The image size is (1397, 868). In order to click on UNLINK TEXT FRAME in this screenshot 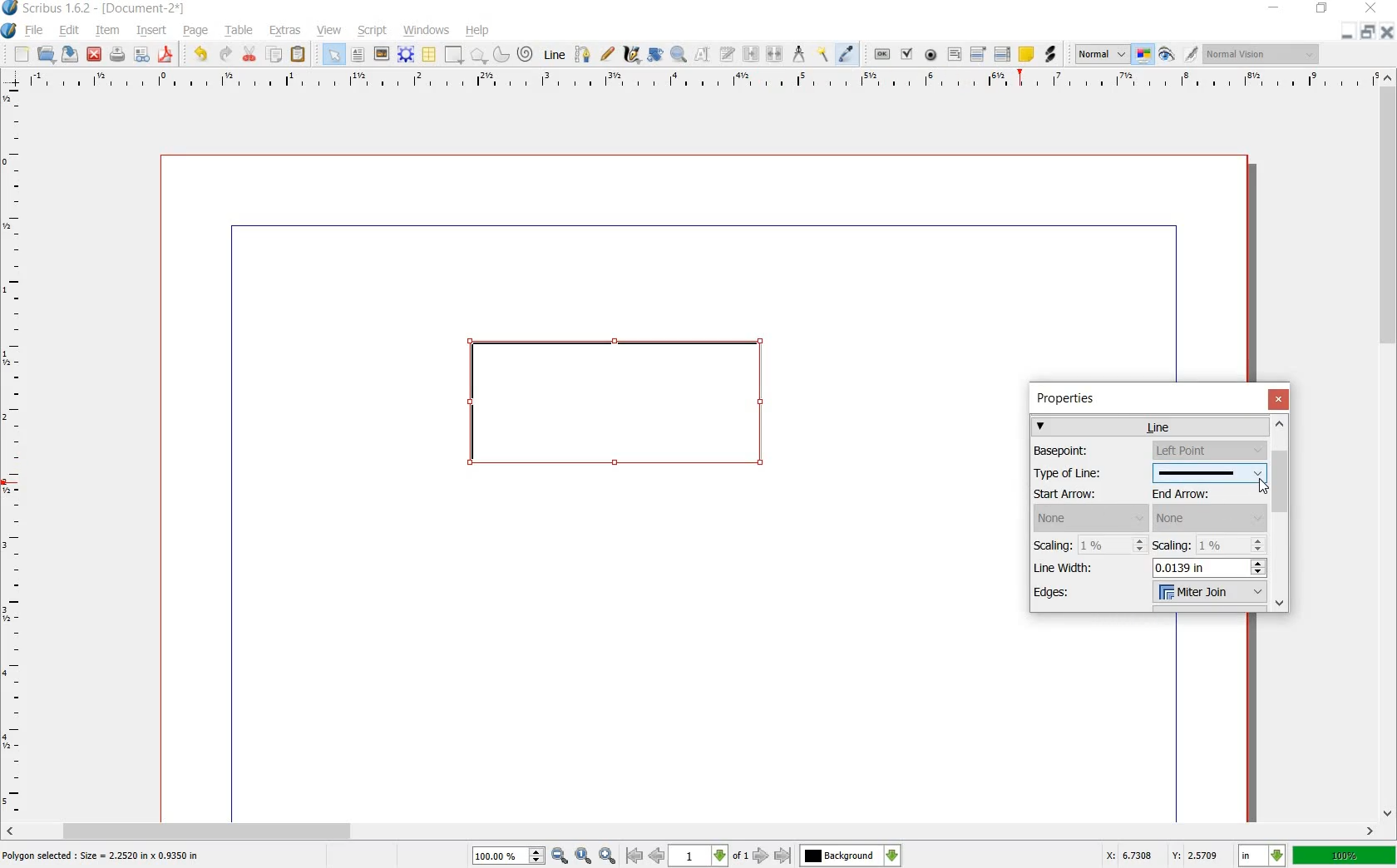, I will do `click(776, 55)`.